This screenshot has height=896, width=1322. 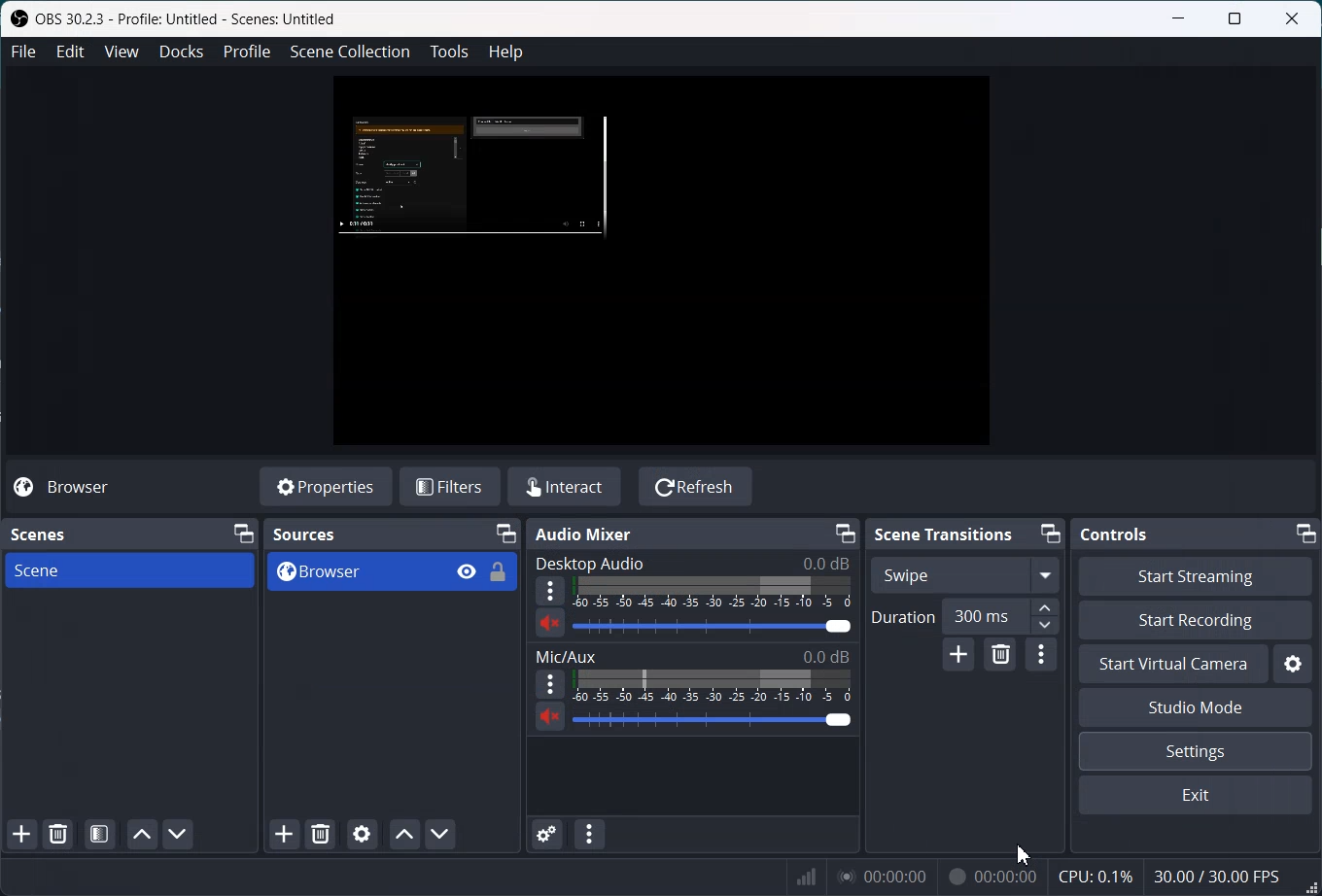 I want to click on Swipe, so click(x=963, y=573).